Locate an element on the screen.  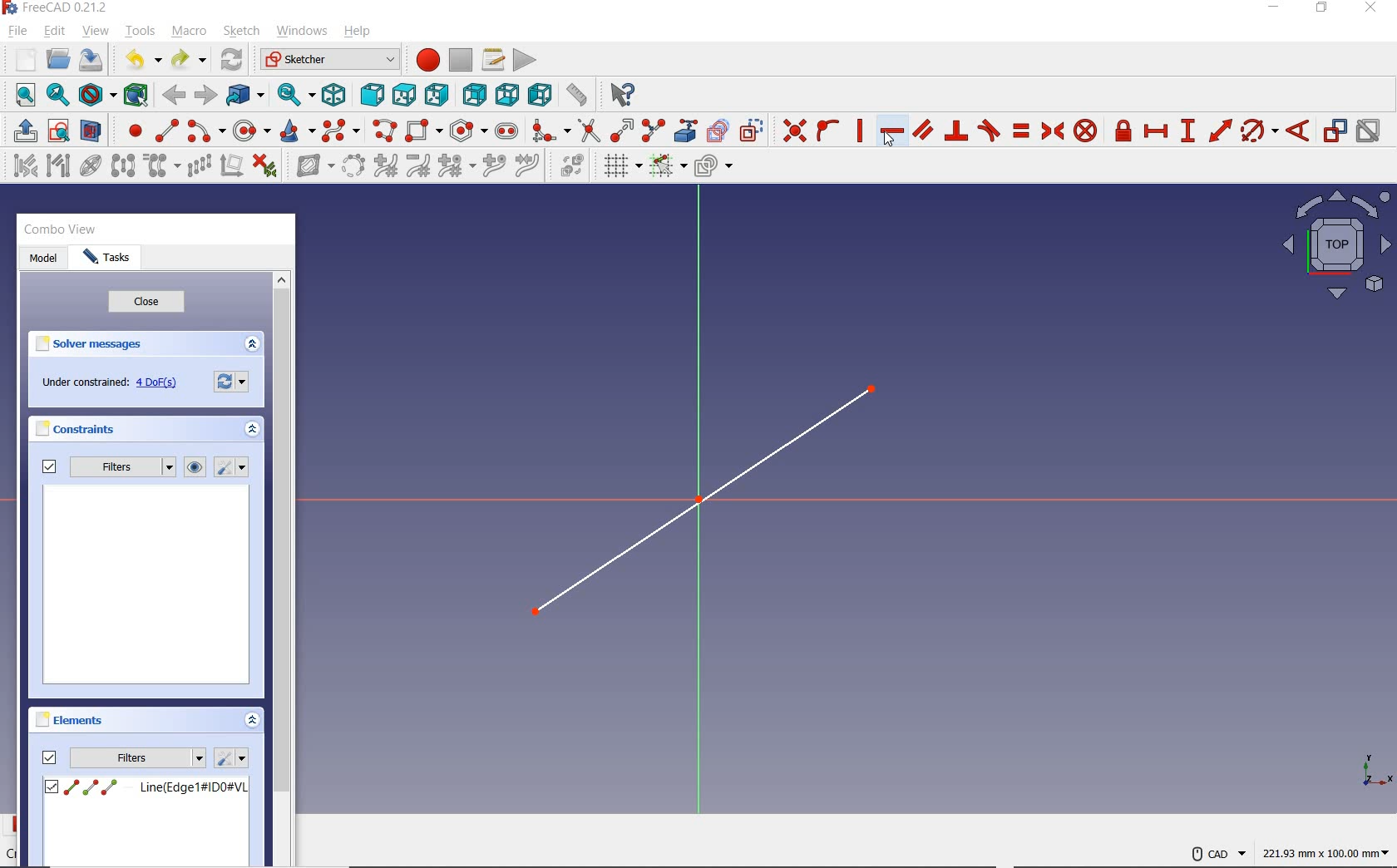
measurement is located at coordinates (1325, 853).